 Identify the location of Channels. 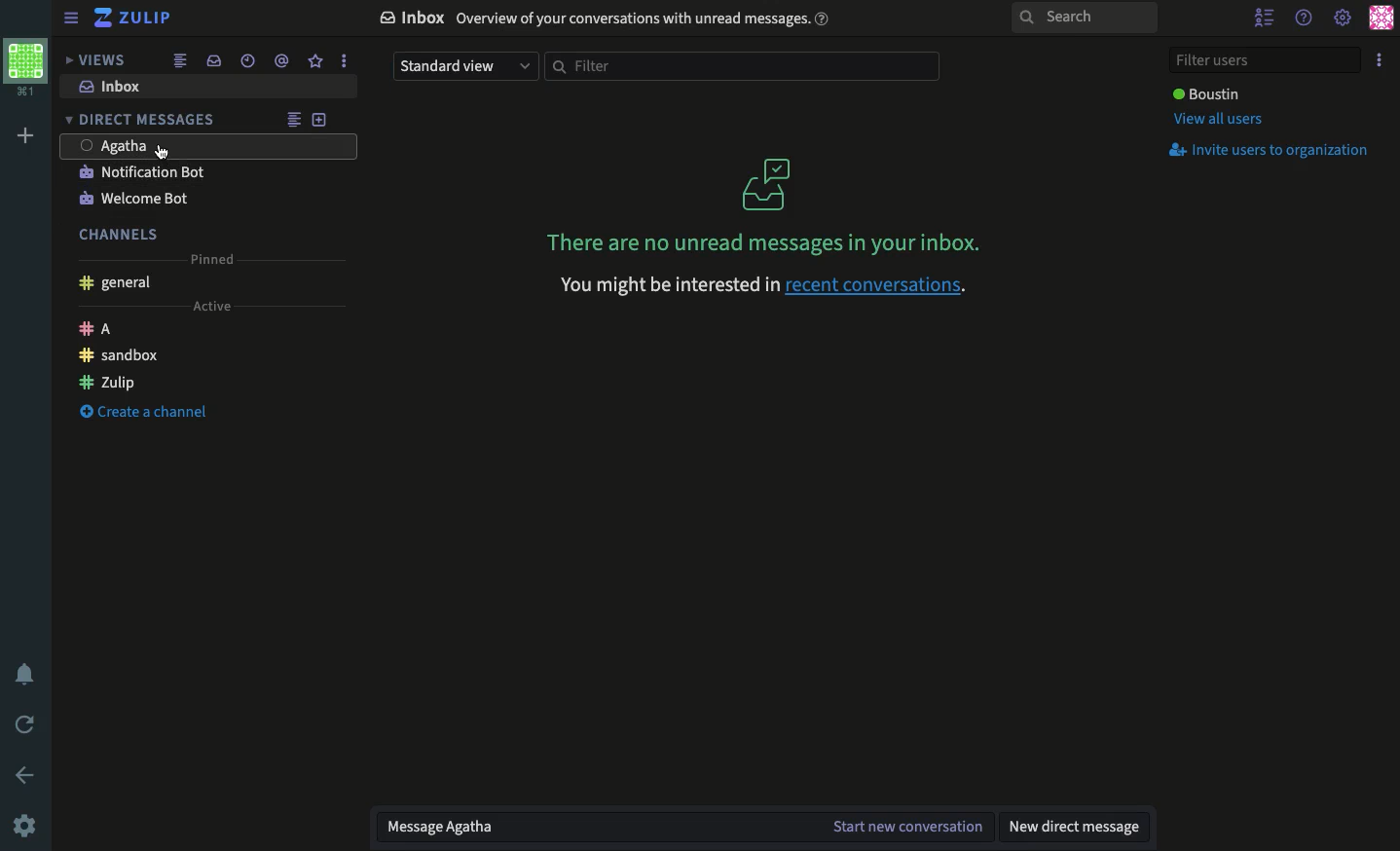
(125, 234).